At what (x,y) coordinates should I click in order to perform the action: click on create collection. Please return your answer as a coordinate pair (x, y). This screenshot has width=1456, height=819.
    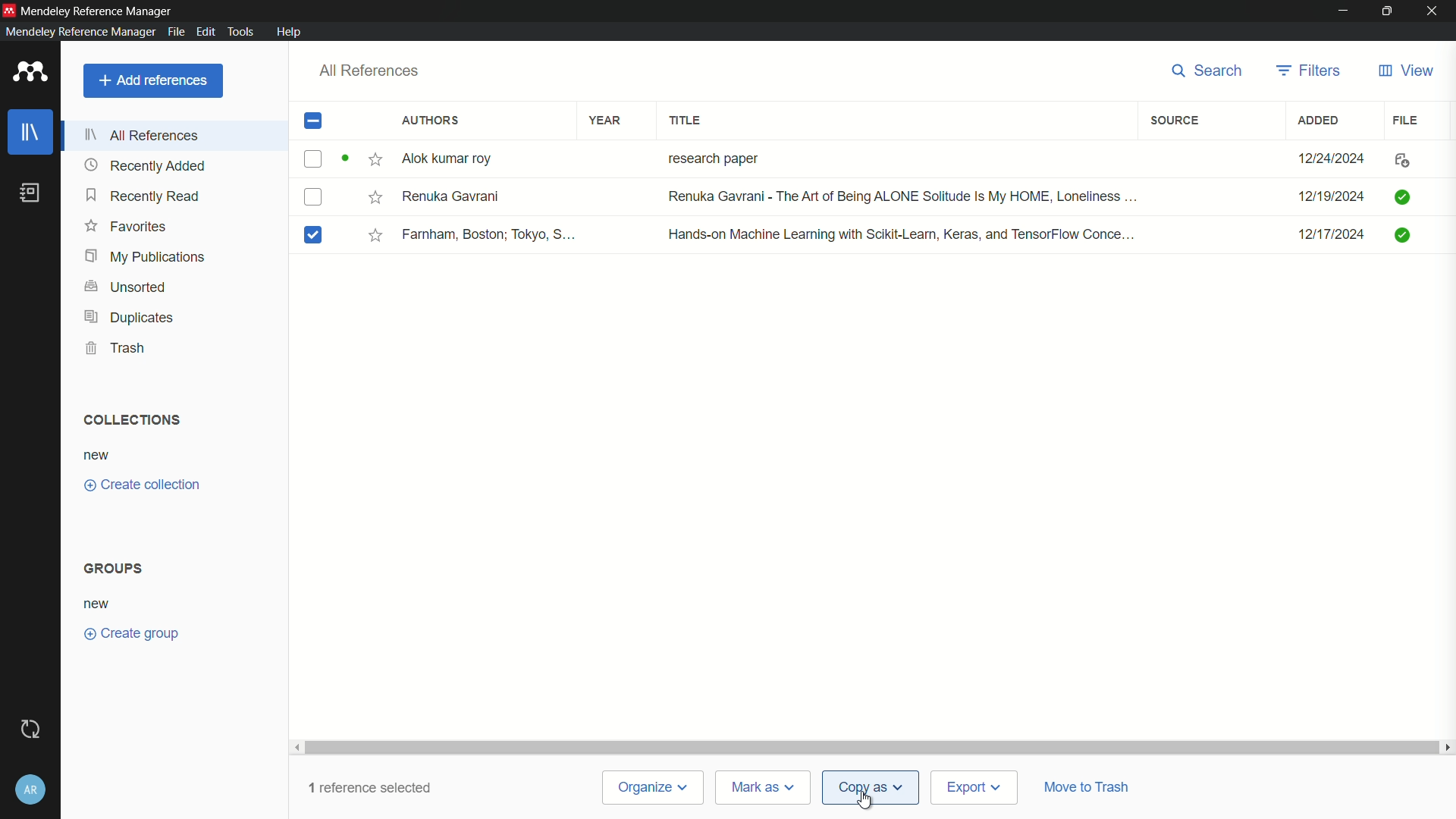
    Looking at the image, I should click on (140, 485).